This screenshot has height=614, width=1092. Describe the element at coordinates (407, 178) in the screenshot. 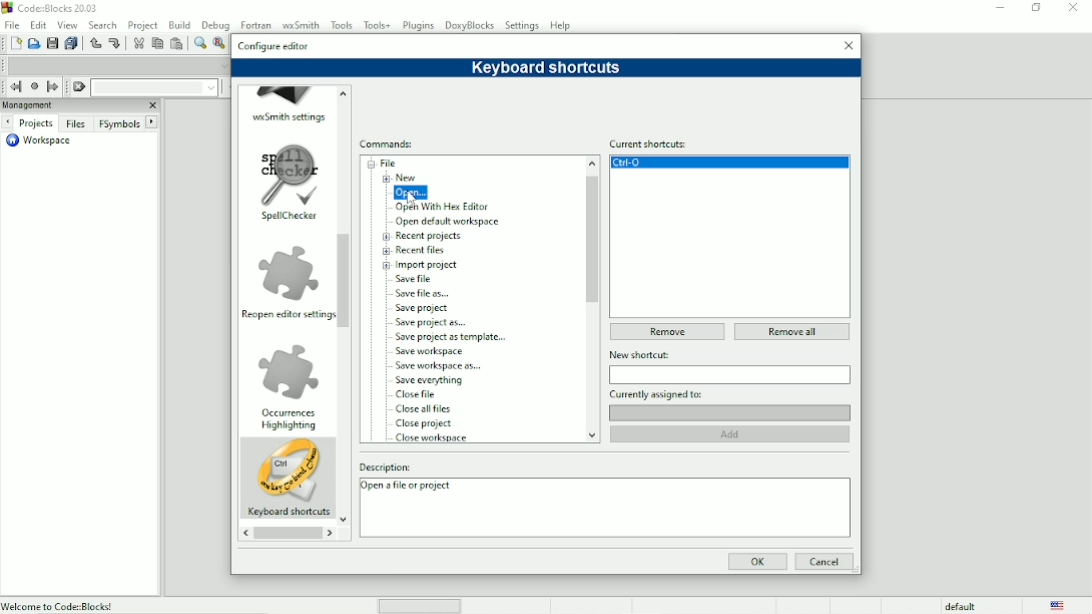

I see `New` at that location.